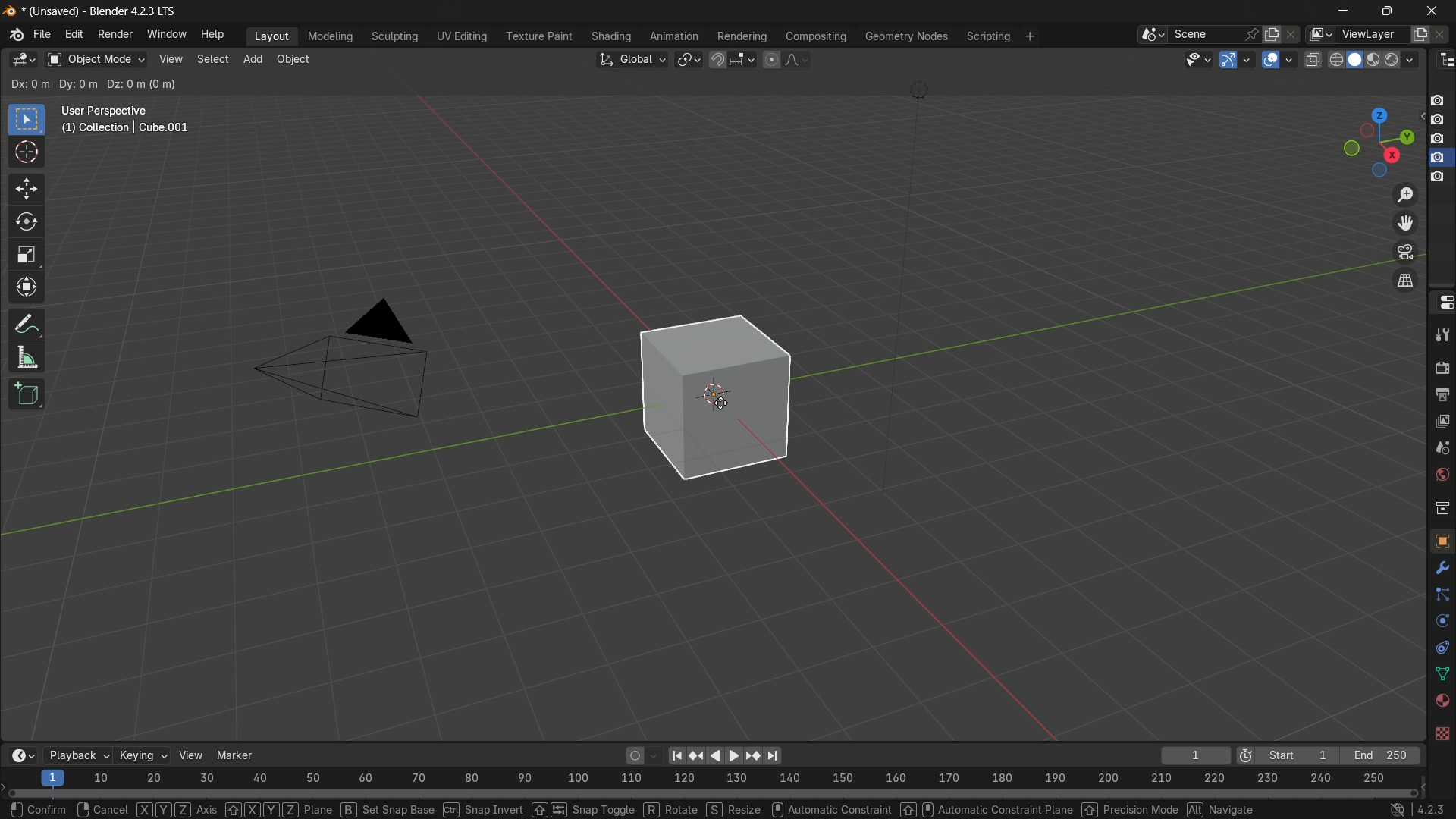 The width and height of the screenshot is (1456, 819). What do you see at coordinates (751, 757) in the screenshot?
I see `jump to keyframe` at bounding box center [751, 757].